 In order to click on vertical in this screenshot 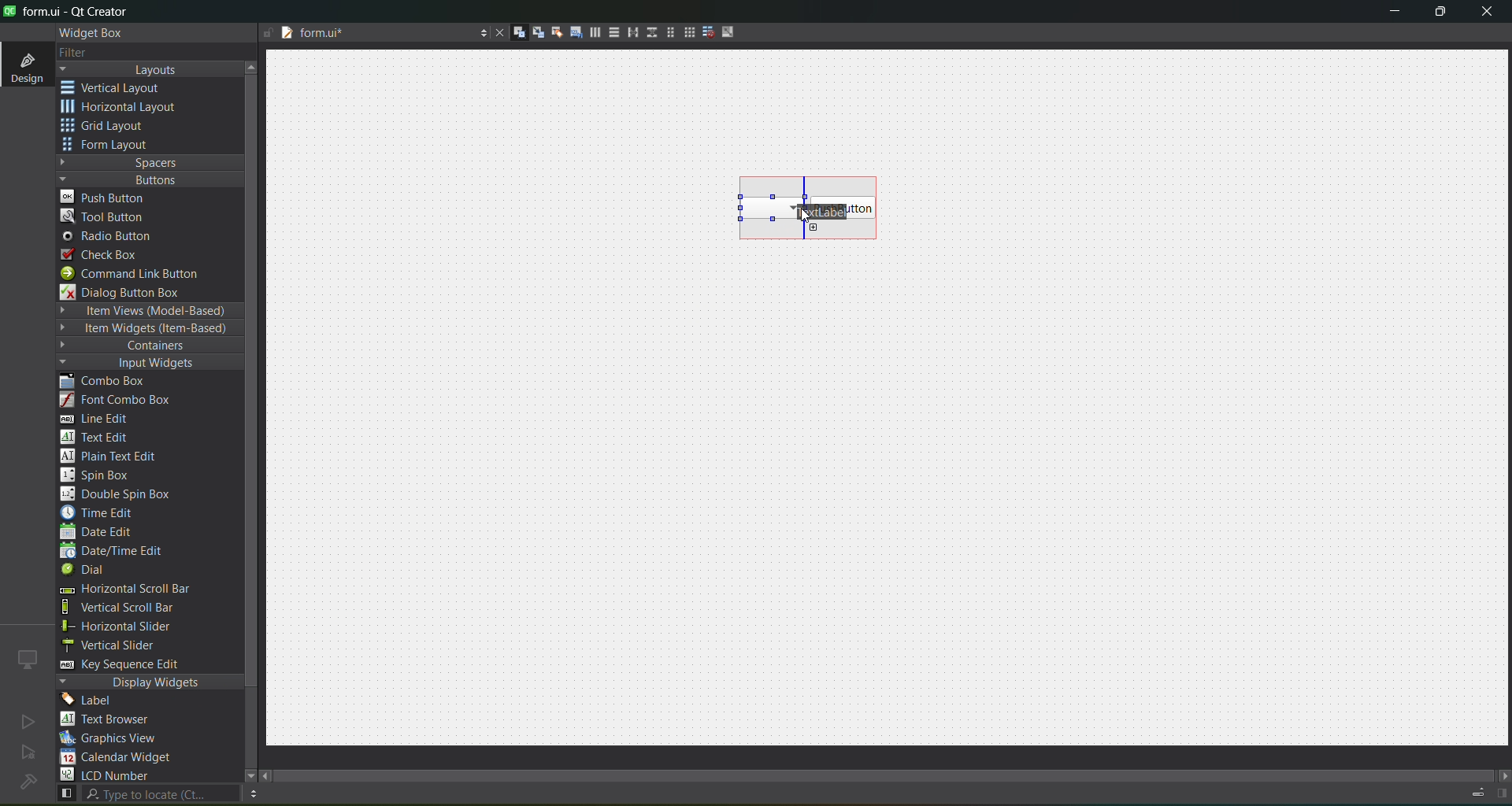, I will do `click(122, 88)`.